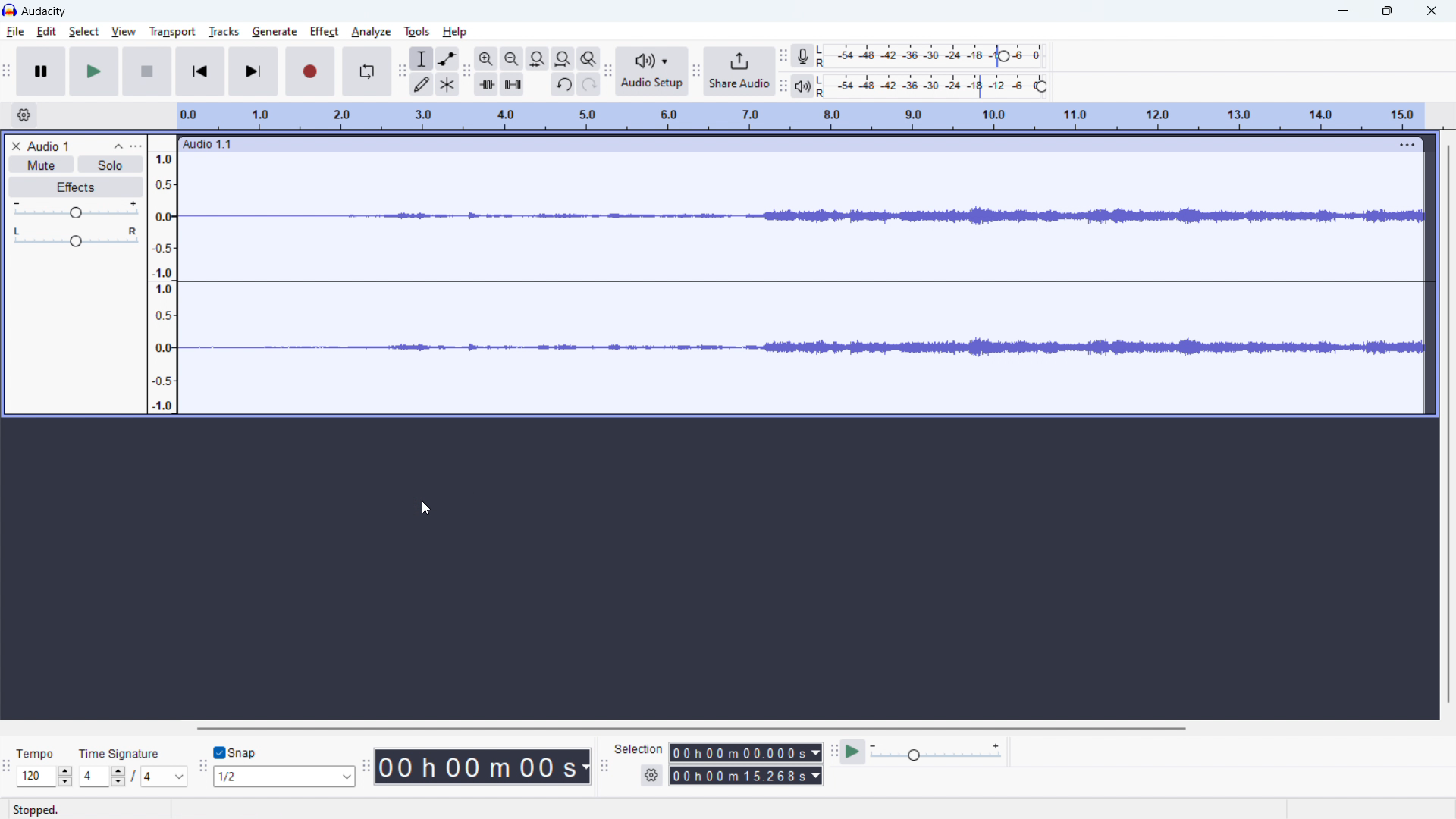 The width and height of the screenshot is (1456, 819). What do you see at coordinates (75, 187) in the screenshot?
I see `effects` at bounding box center [75, 187].